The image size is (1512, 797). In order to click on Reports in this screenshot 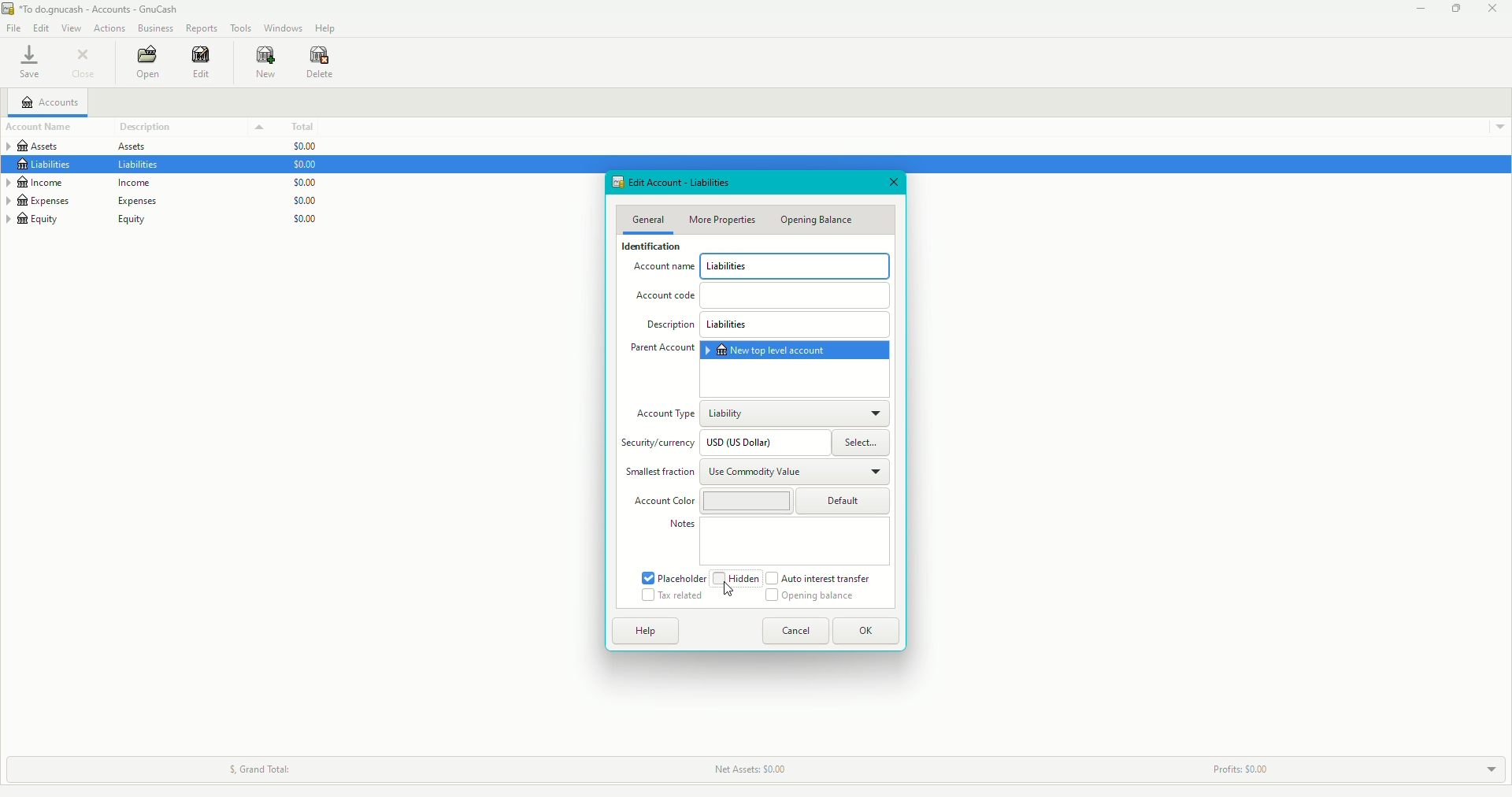, I will do `click(202, 28)`.